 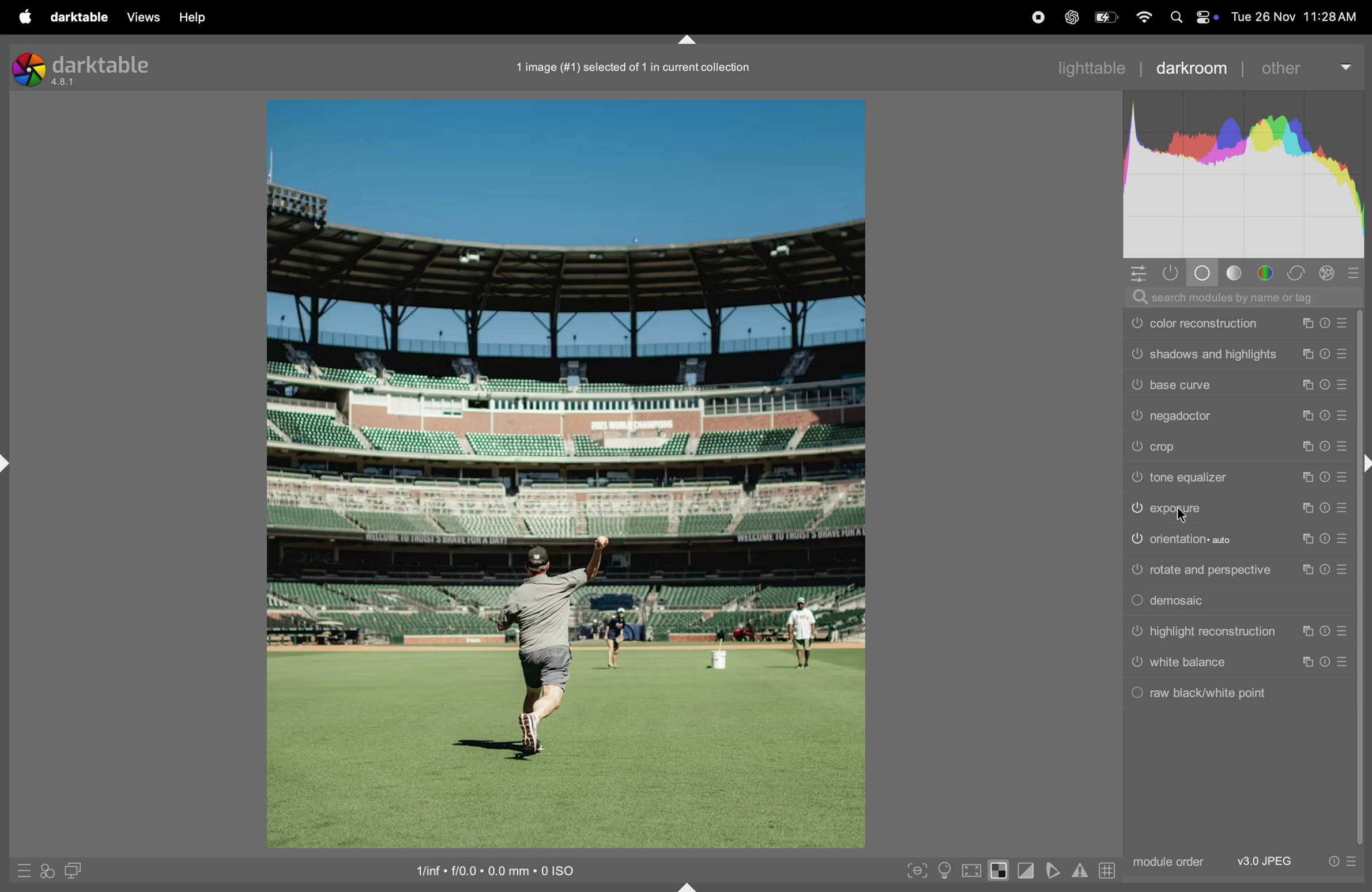 What do you see at coordinates (1055, 870) in the screenshot?
I see `soften` at bounding box center [1055, 870].